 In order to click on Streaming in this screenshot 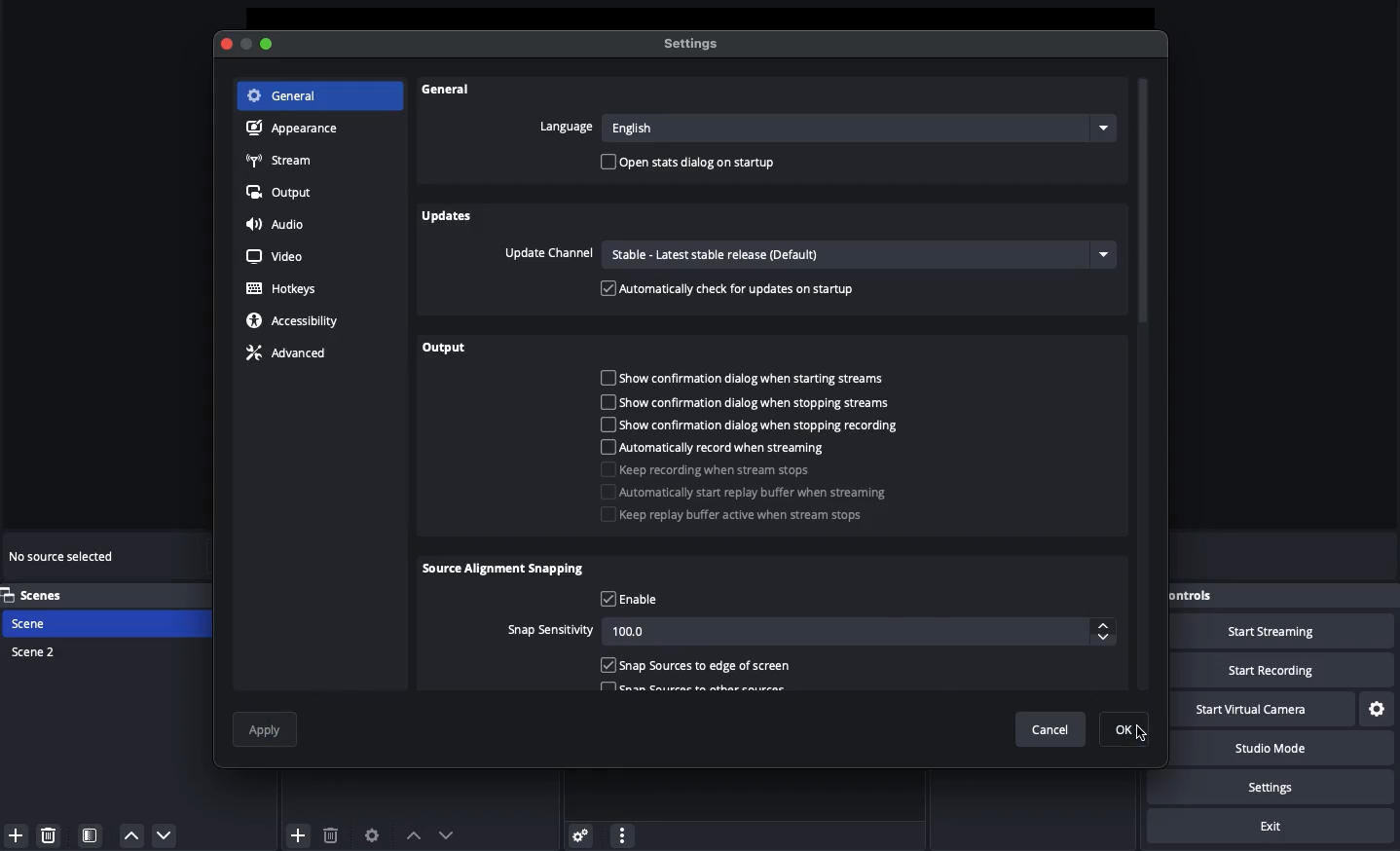, I will do `click(736, 461)`.